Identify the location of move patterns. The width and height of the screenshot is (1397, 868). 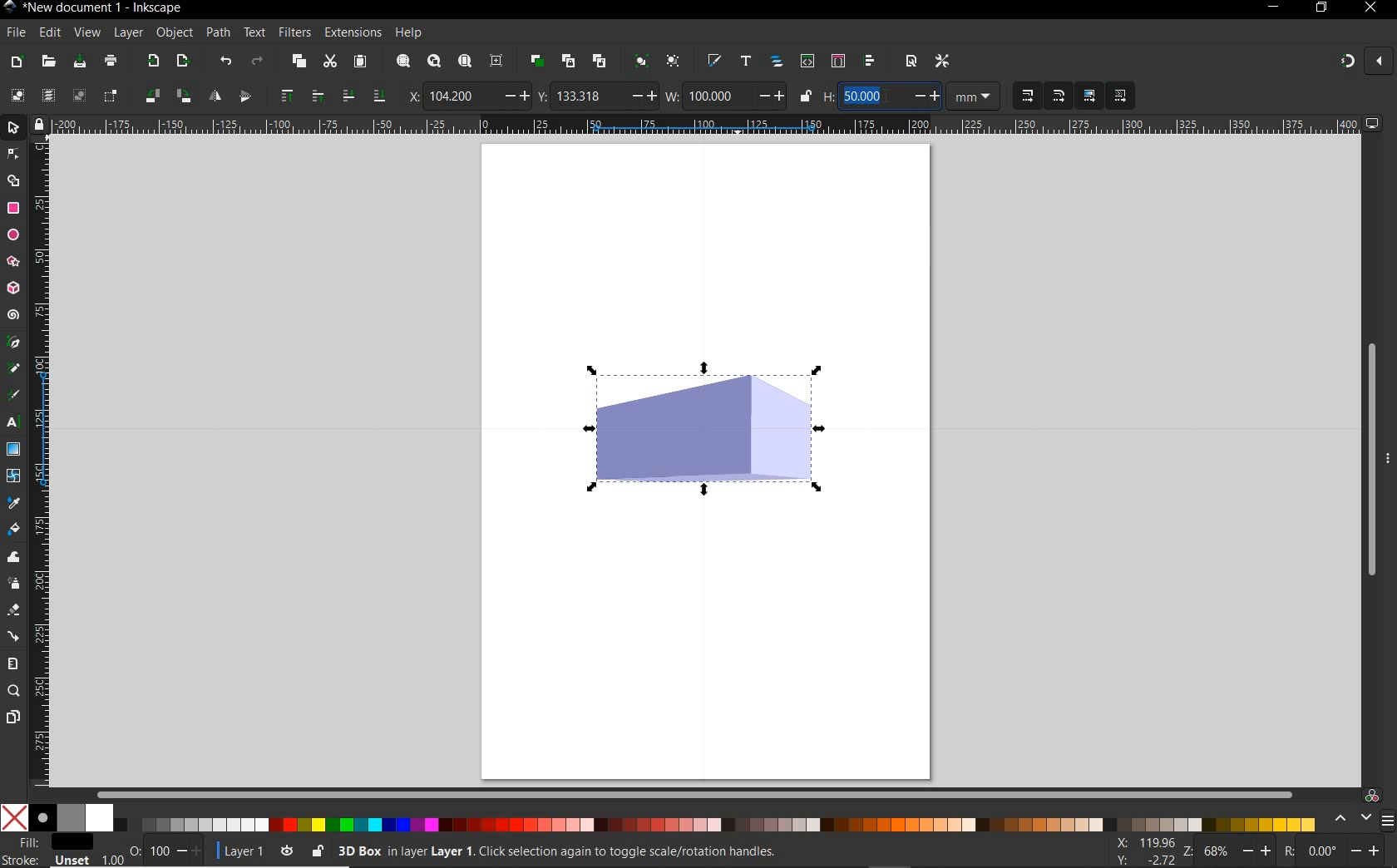
(1118, 96).